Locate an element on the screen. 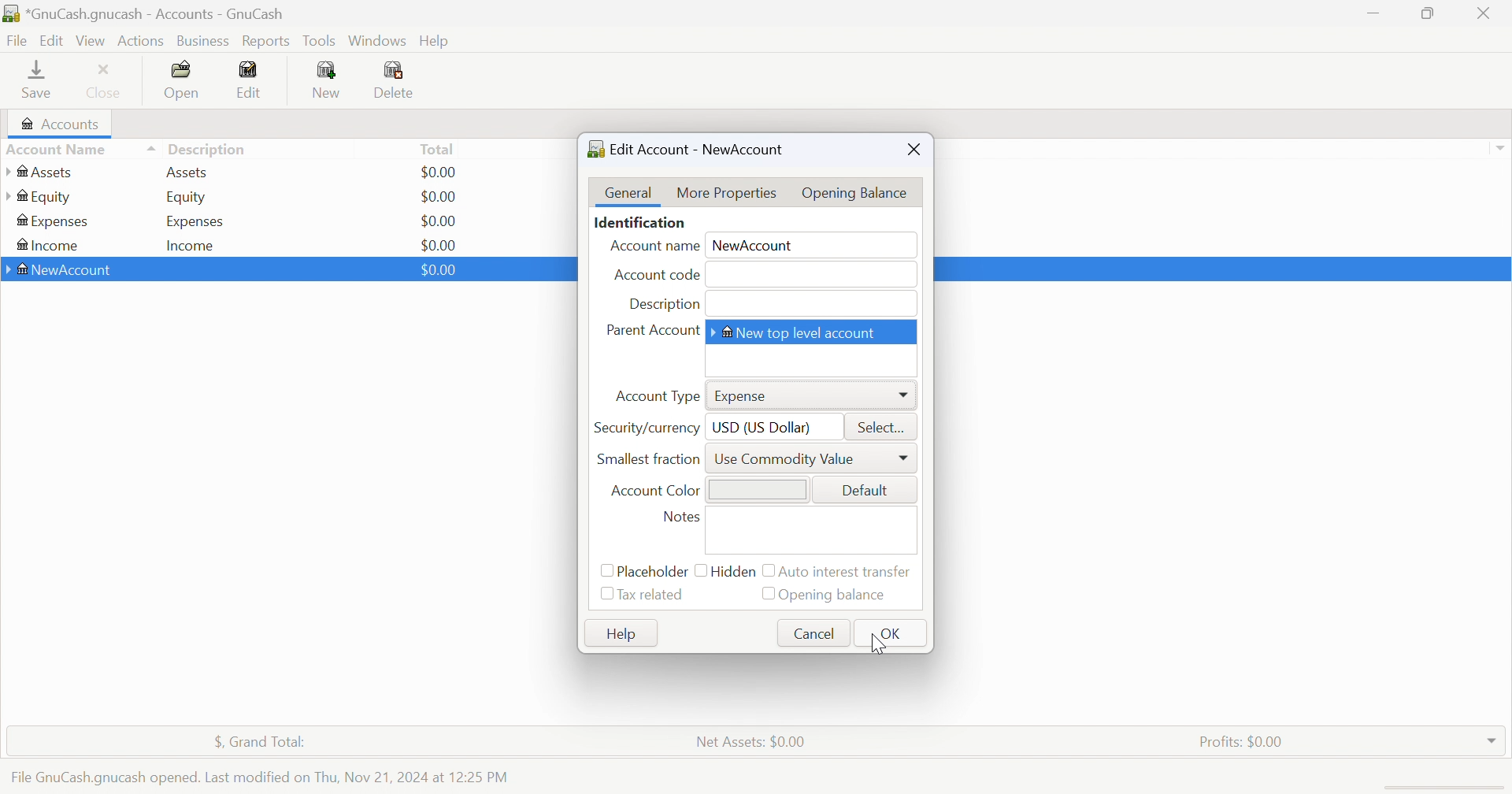 The width and height of the screenshot is (1512, 794). Drop Down is located at coordinates (906, 396).